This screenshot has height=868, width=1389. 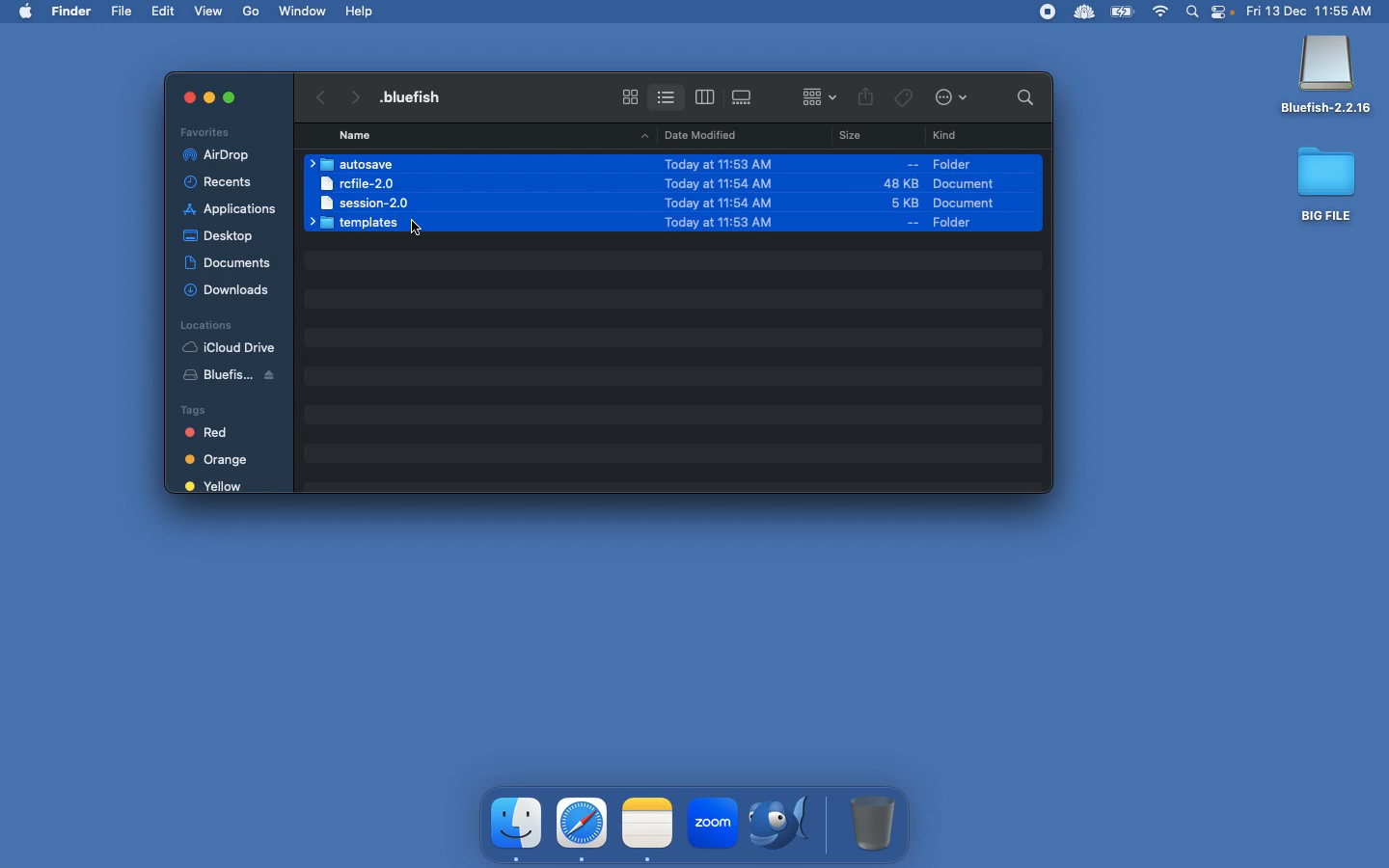 I want to click on desktop, so click(x=222, y=232).